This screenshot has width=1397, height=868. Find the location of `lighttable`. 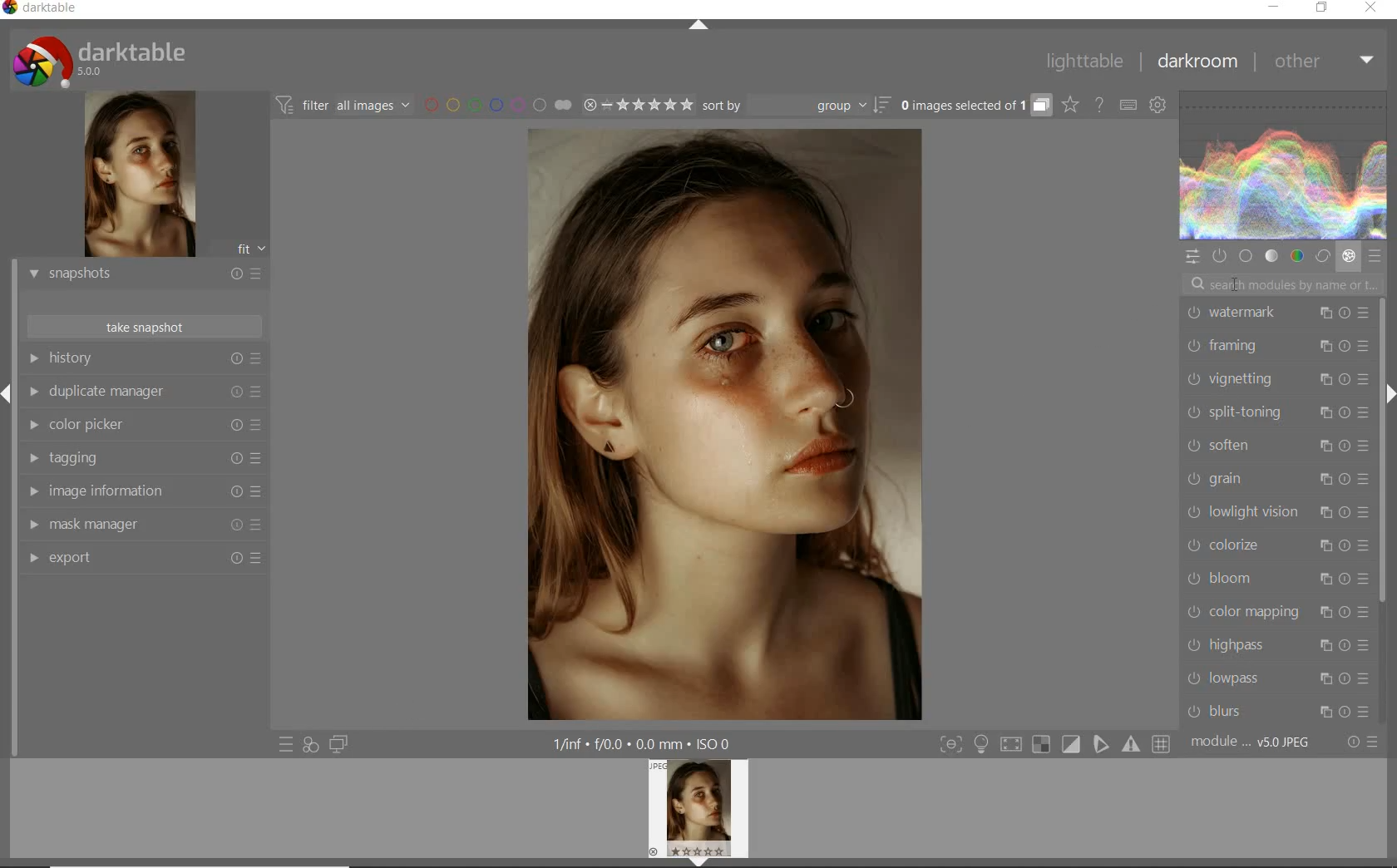

lighttable is located at coordinates (1085, 62).